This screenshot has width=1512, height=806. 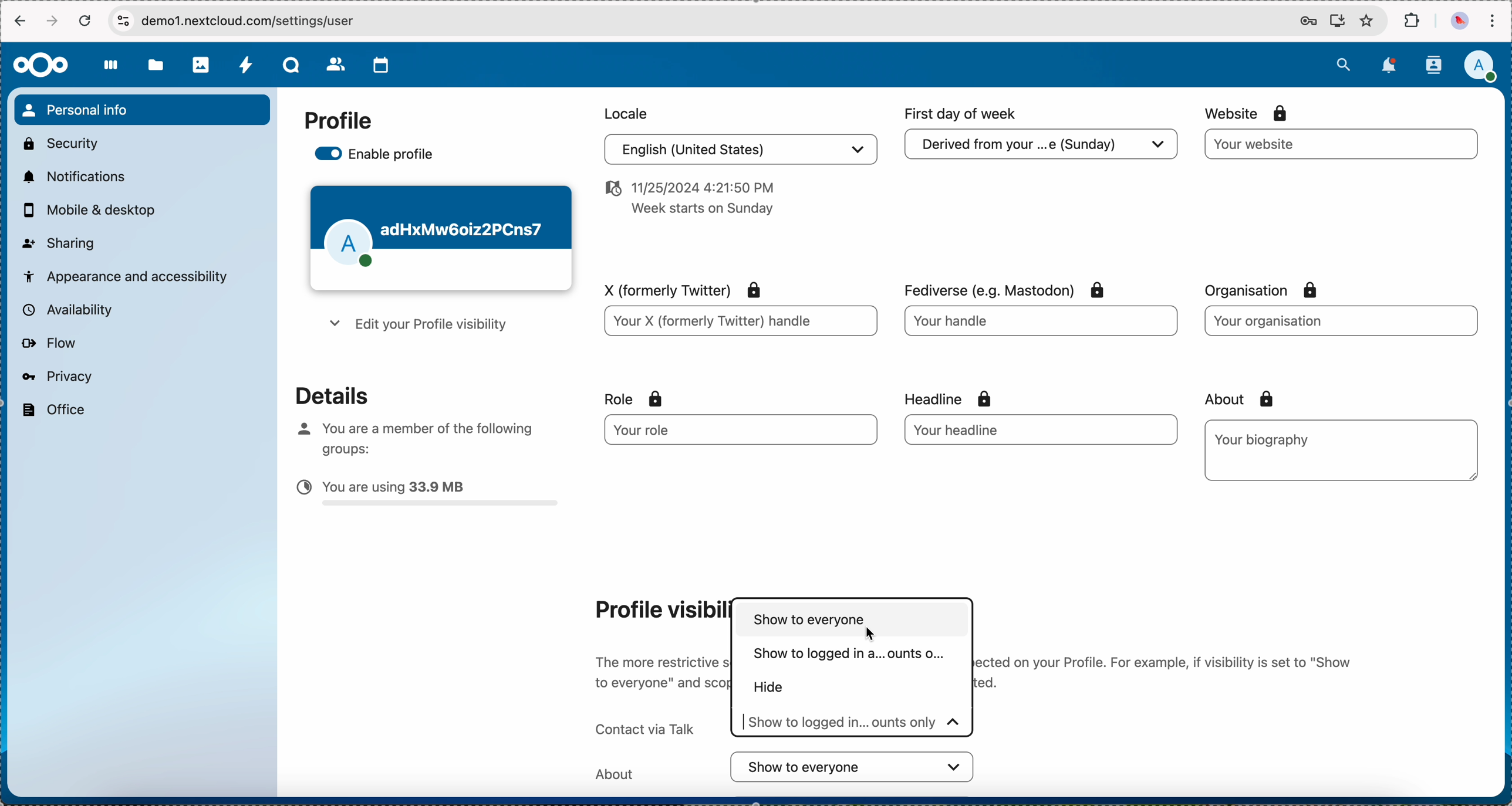 What do you see at coordinates (1492, 21) in the screenshot?
I see `customize and control Google Chrome` at bounding box center [1492, 21].